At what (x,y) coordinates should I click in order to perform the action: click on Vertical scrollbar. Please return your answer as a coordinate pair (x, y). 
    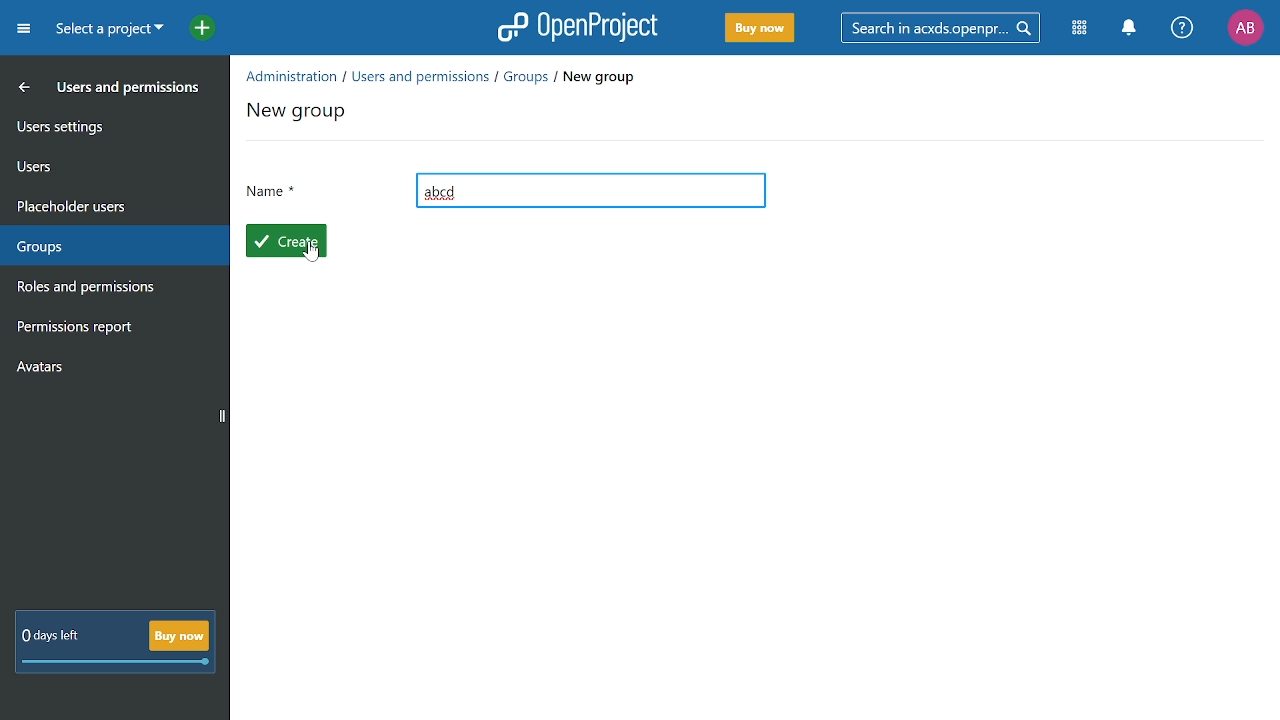
    Looking at the image, I should click on (222, 417).